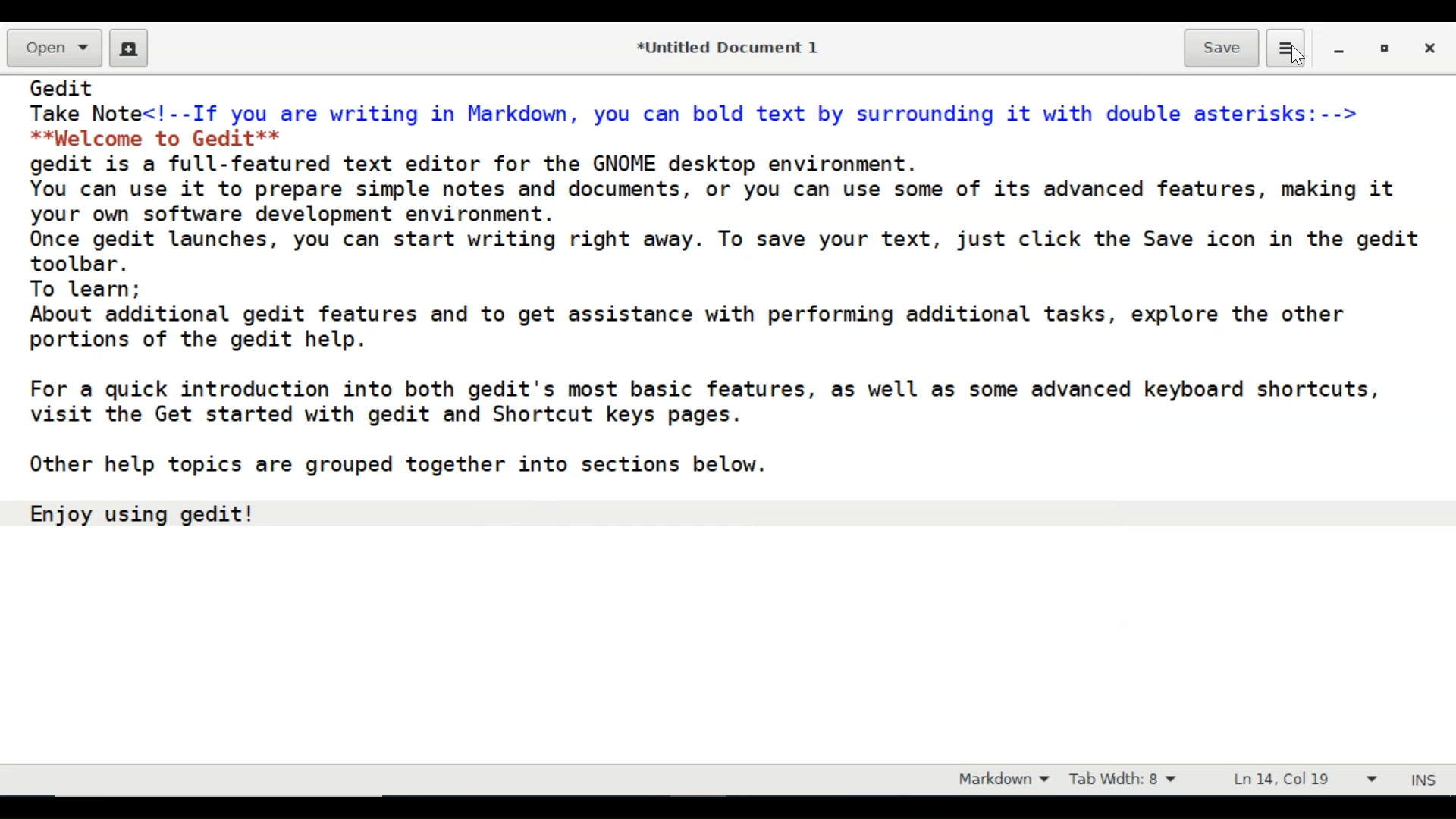 The height and width of the screenshot is (819, 1456). Describe the element at coordinates (1428, 49) in the screenshot. I see `Close` at that location.